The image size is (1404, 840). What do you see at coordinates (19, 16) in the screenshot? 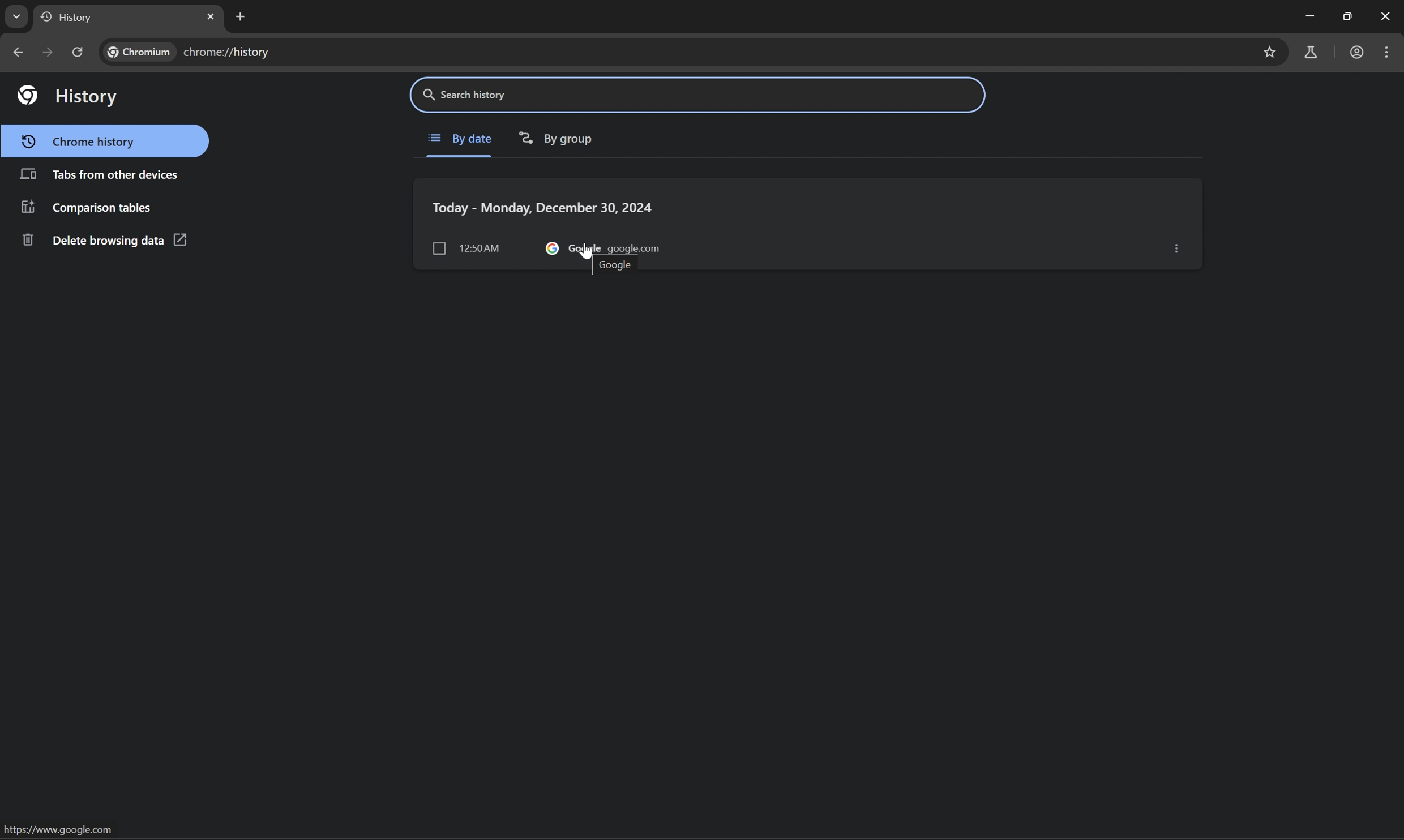
I see `drop down` at bounding box center [19, 16].